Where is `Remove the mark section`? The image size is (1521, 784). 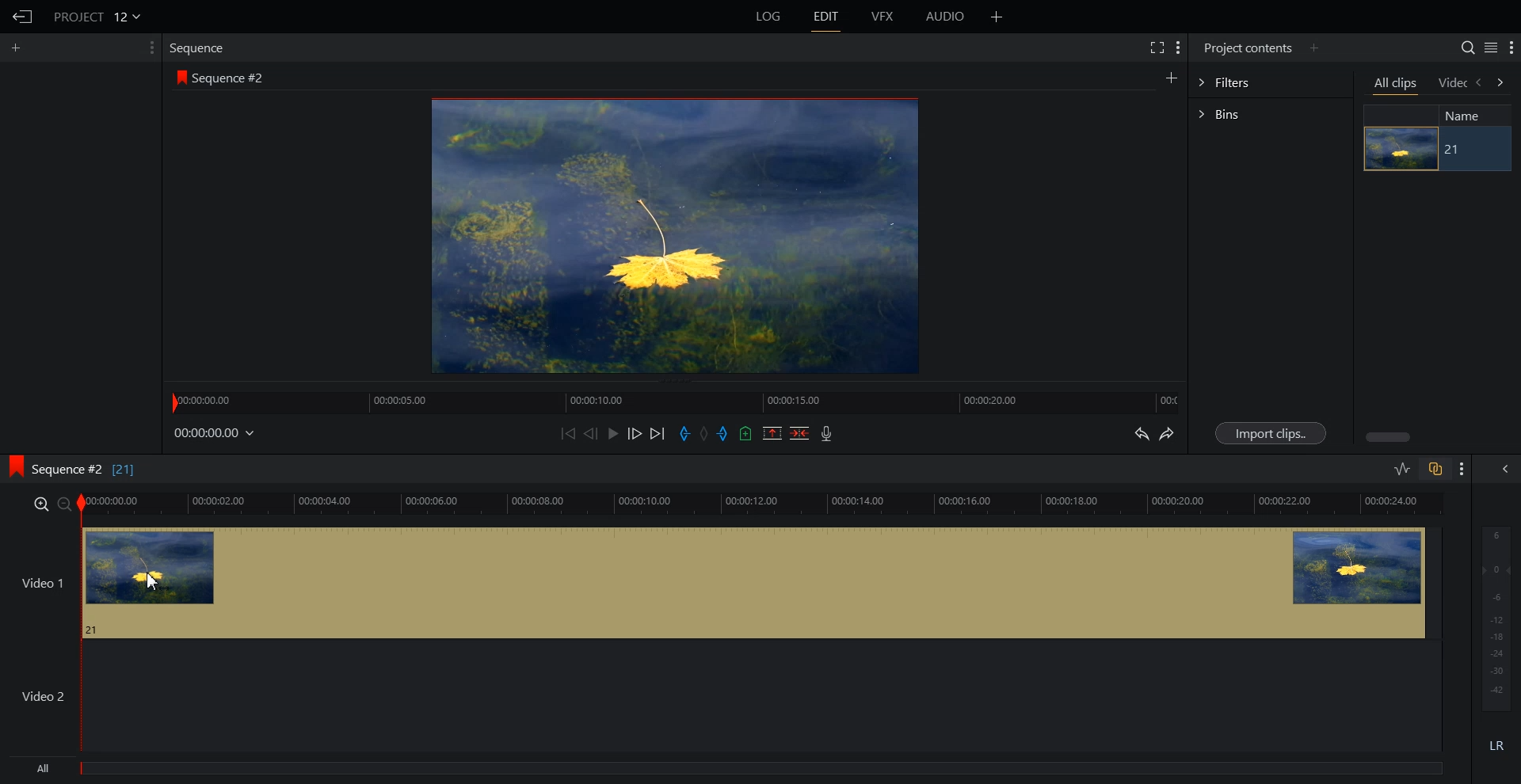
Remove the mark section is located at coordinates (772, 432).